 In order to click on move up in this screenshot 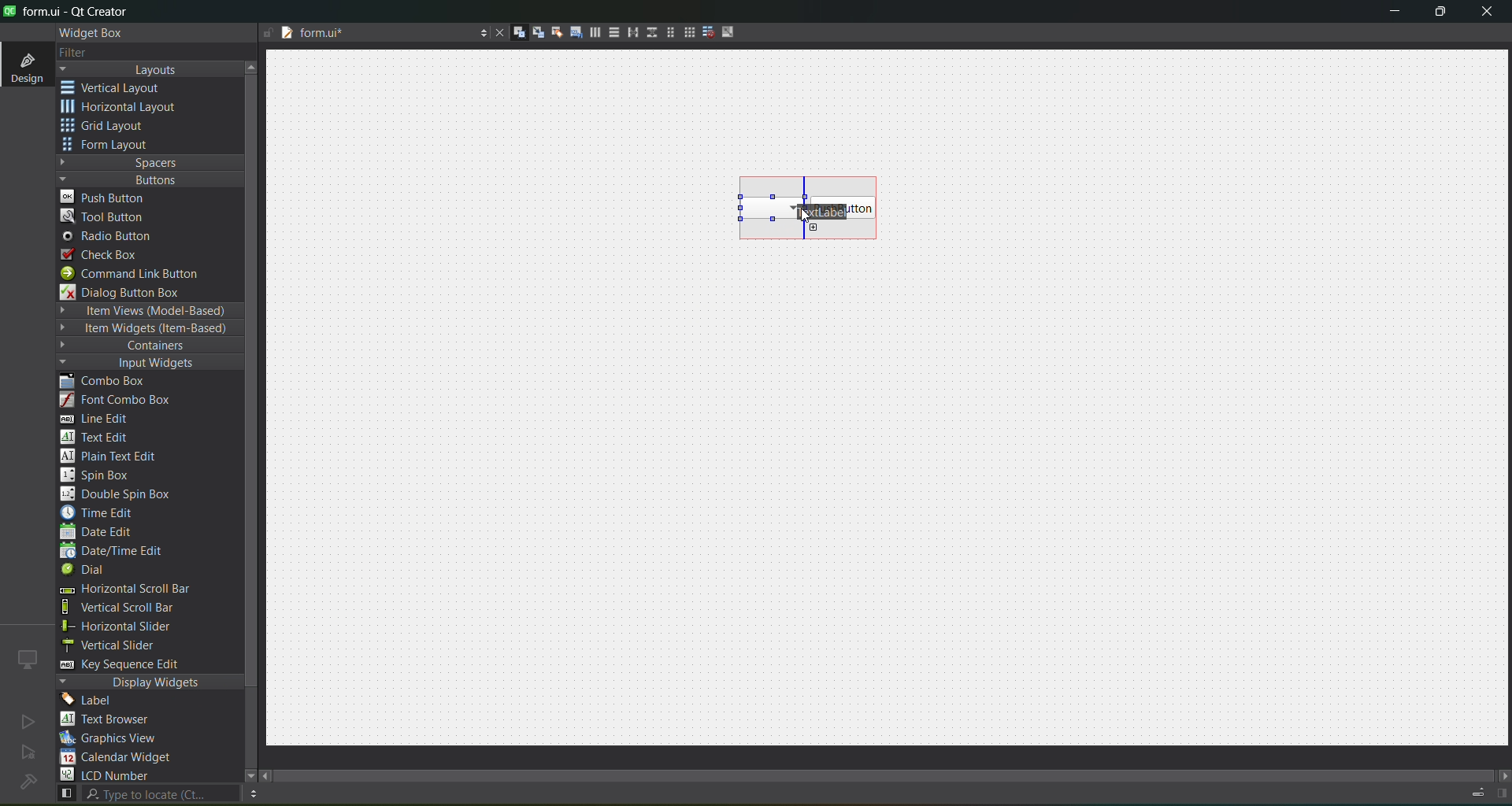, I will do `click(254, 65)`.